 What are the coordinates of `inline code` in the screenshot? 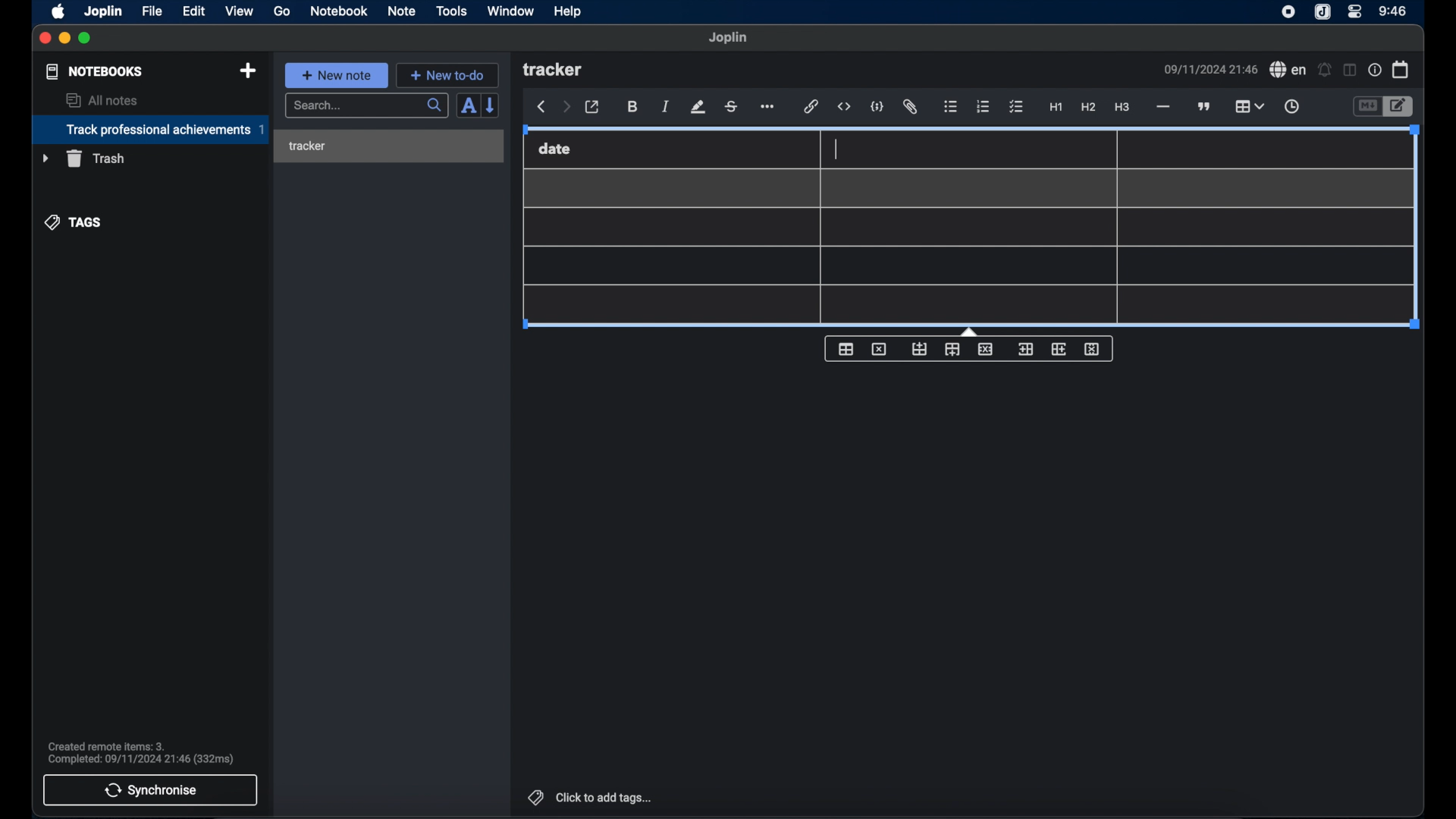 It's located at (844, 107).